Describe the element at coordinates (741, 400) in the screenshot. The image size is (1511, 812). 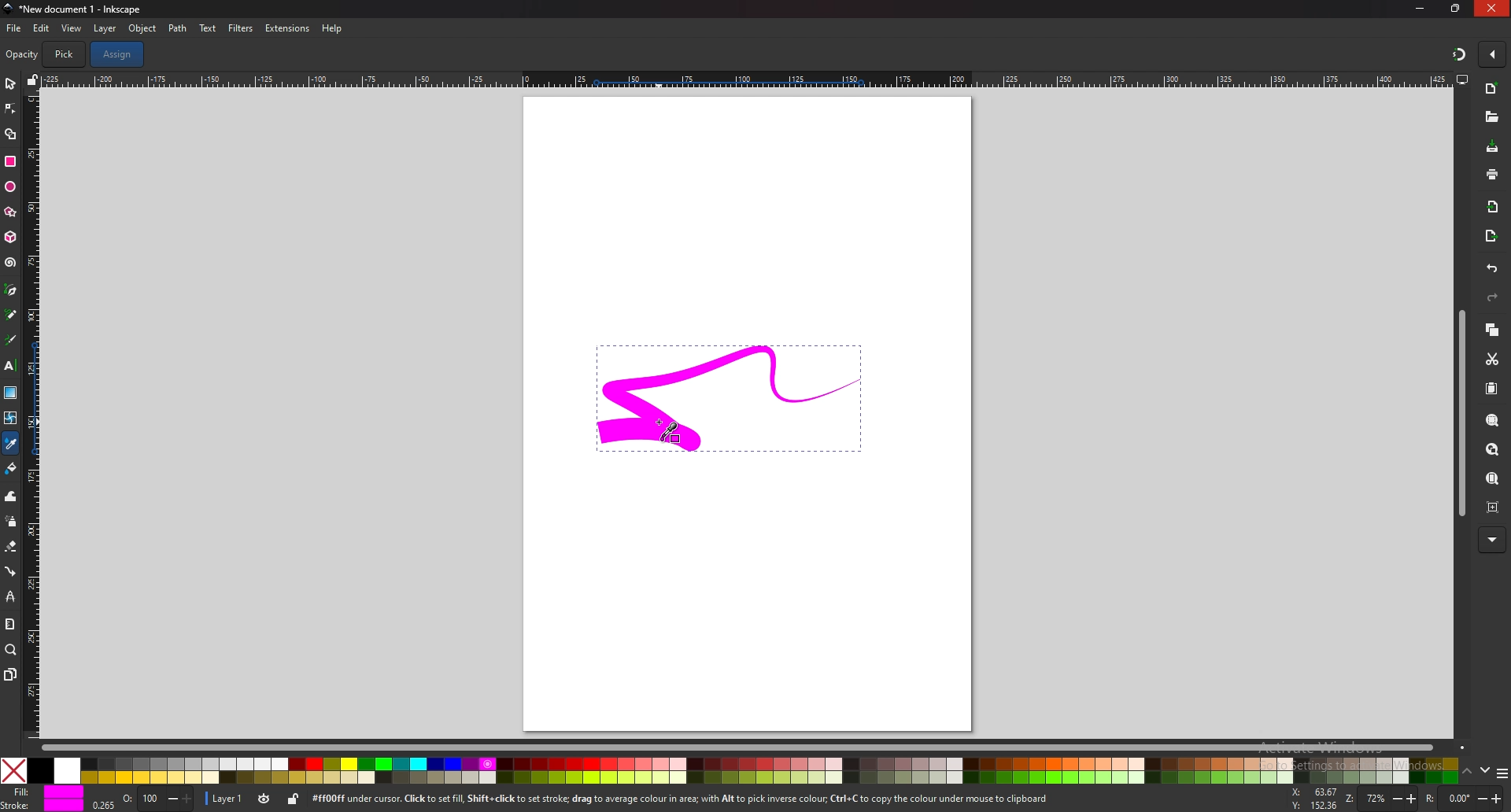
I see `selected drawing` at that location.